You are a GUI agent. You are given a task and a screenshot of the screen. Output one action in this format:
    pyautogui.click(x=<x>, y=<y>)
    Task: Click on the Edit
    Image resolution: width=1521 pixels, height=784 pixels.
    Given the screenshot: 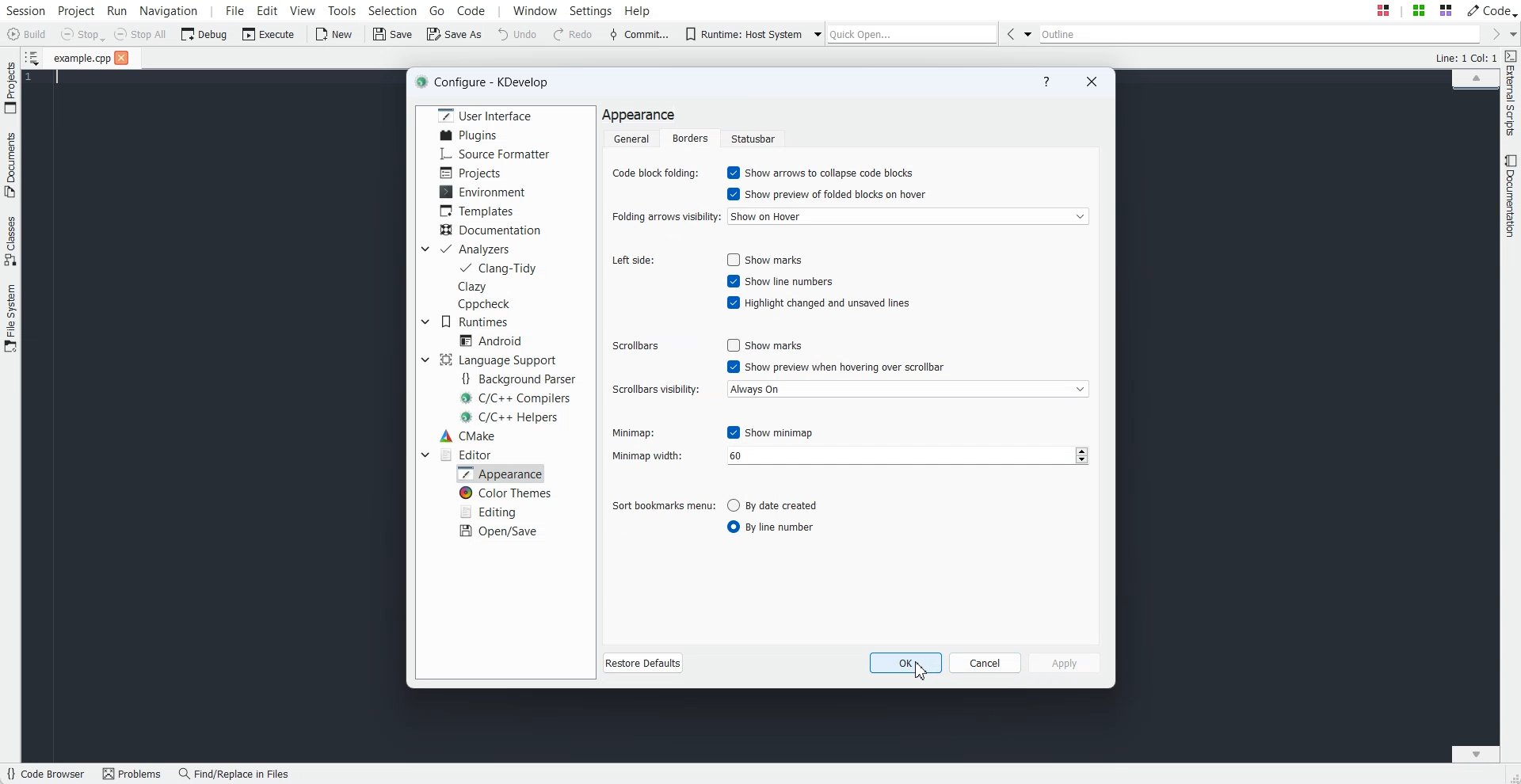 What is the action you would take?
    pyautogui.click(x=267, y=10)
    